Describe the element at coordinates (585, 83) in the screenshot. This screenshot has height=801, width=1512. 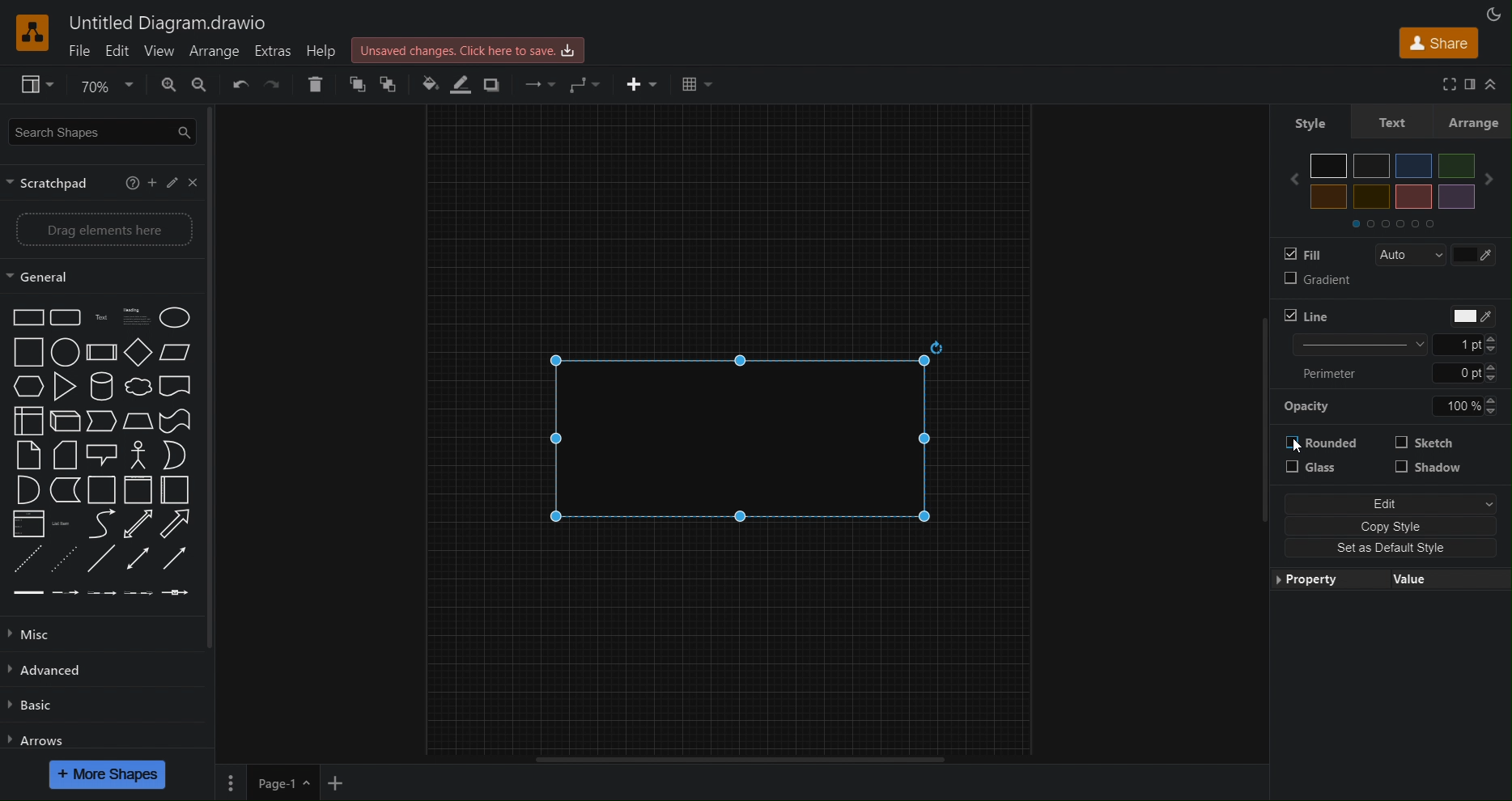
I see `Waypoints` at that location.